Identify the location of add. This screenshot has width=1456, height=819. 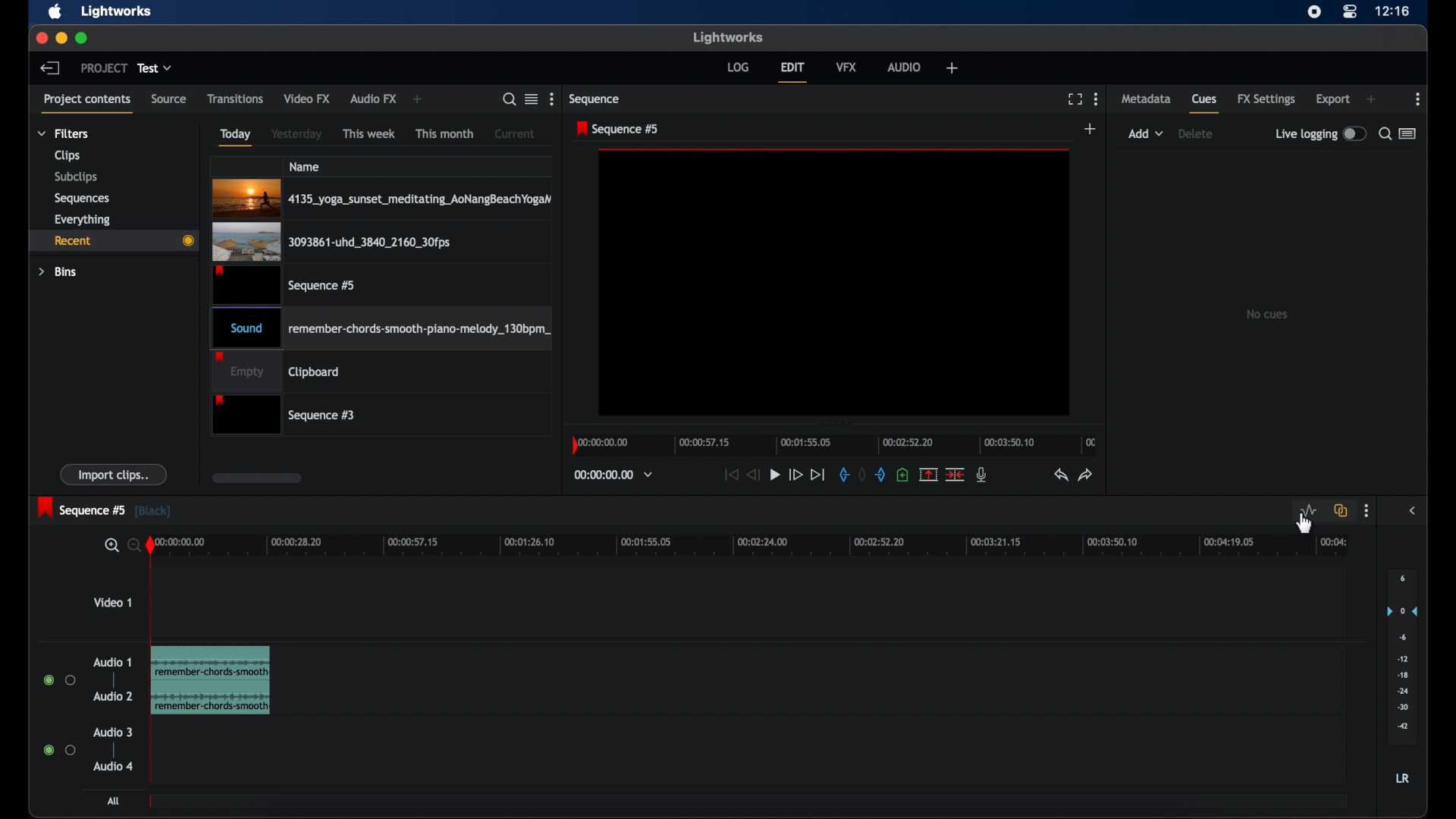
(1371, 99).